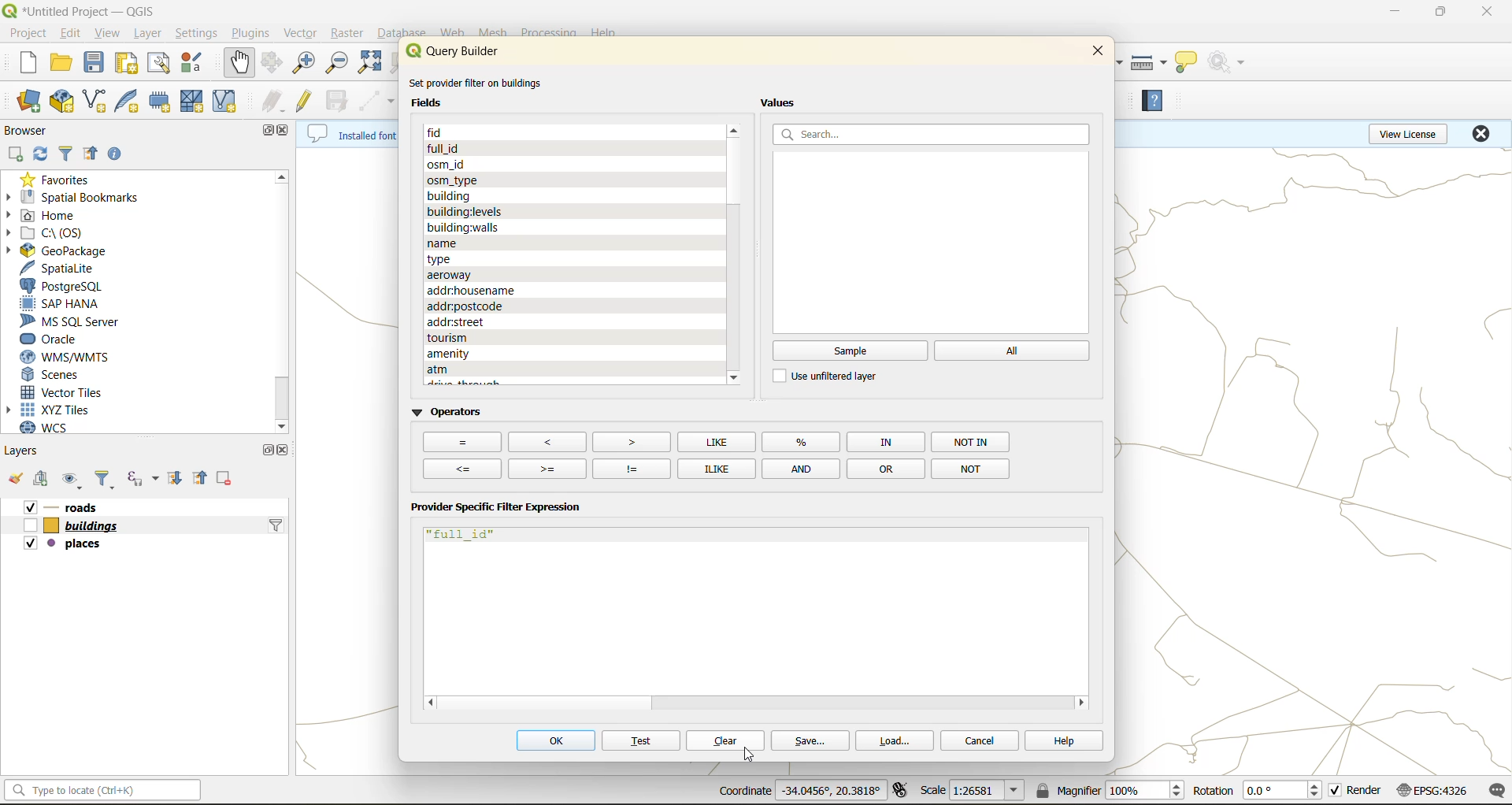 The width and height of the screenshot is (1512, 805). I want to click on clear, so click(726, 741).